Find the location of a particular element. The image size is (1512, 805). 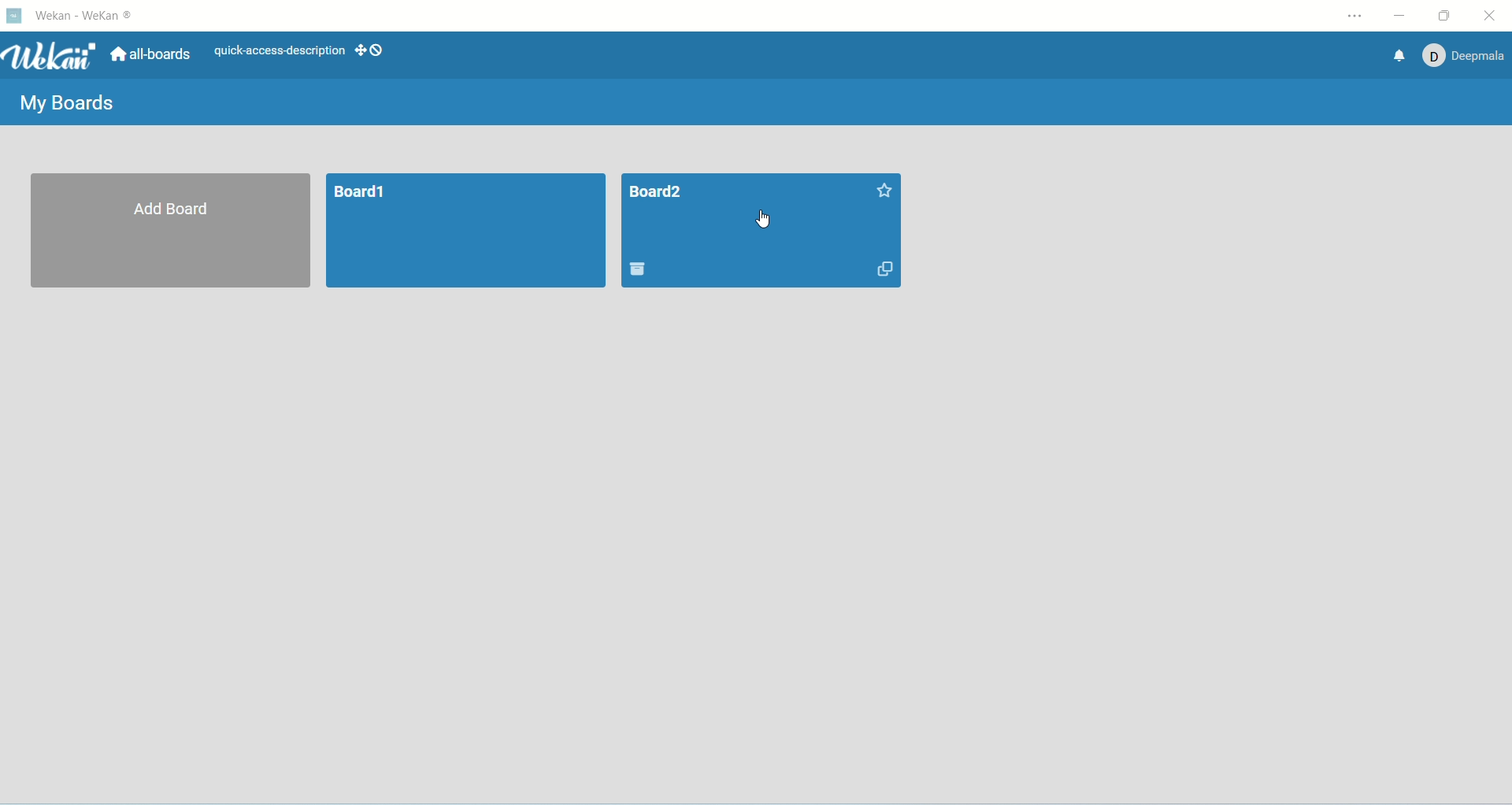

add board is located at coordinates (169, 230).